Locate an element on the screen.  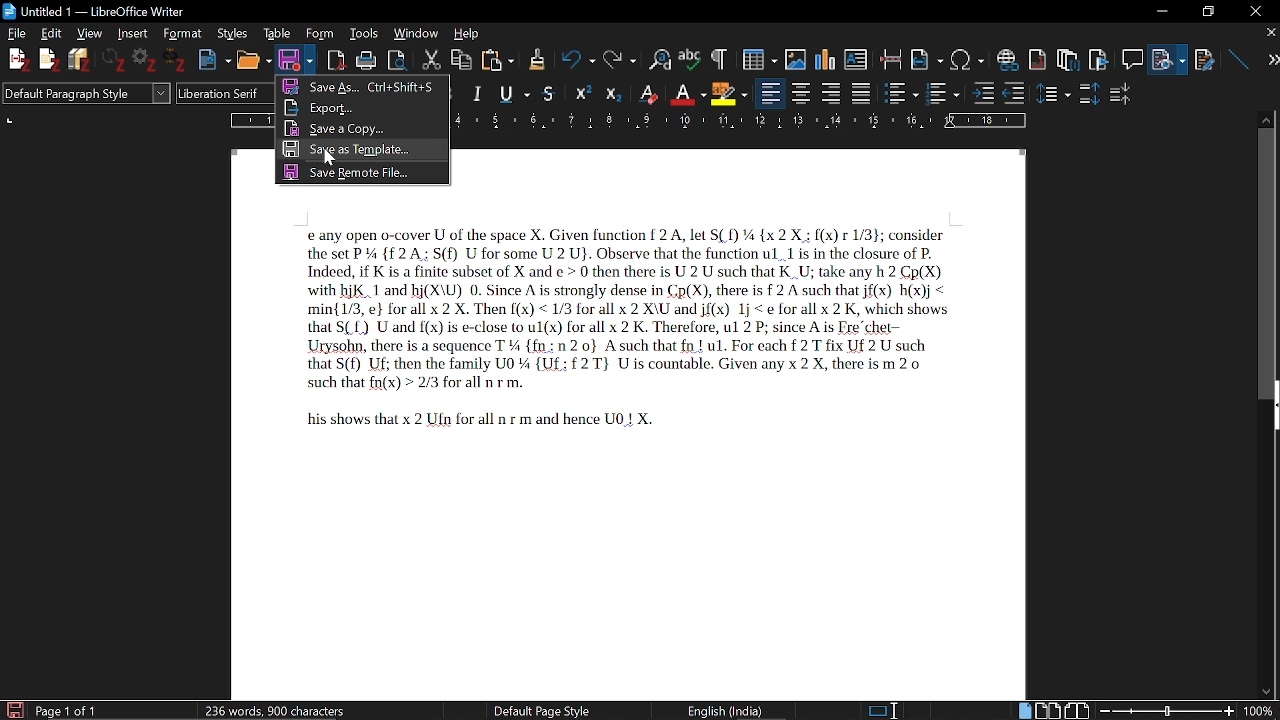
cursor is located at coordinates (330, 160).